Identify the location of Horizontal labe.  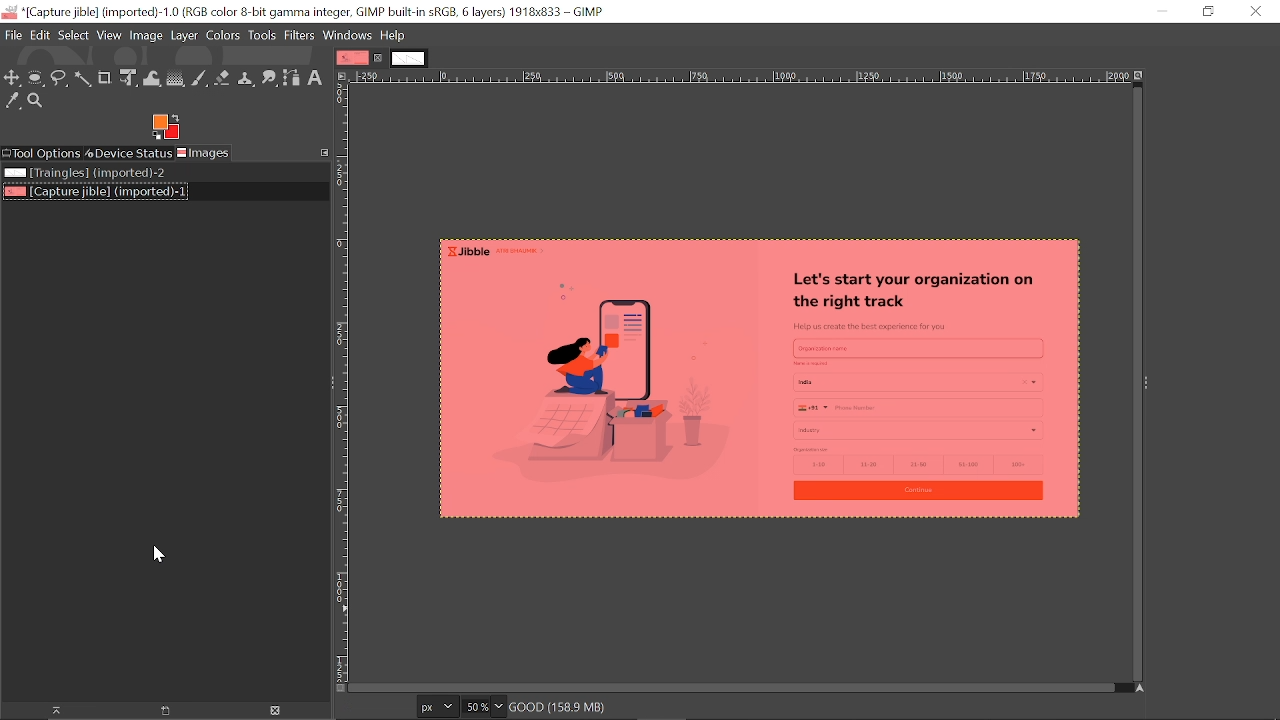
(739, 76).